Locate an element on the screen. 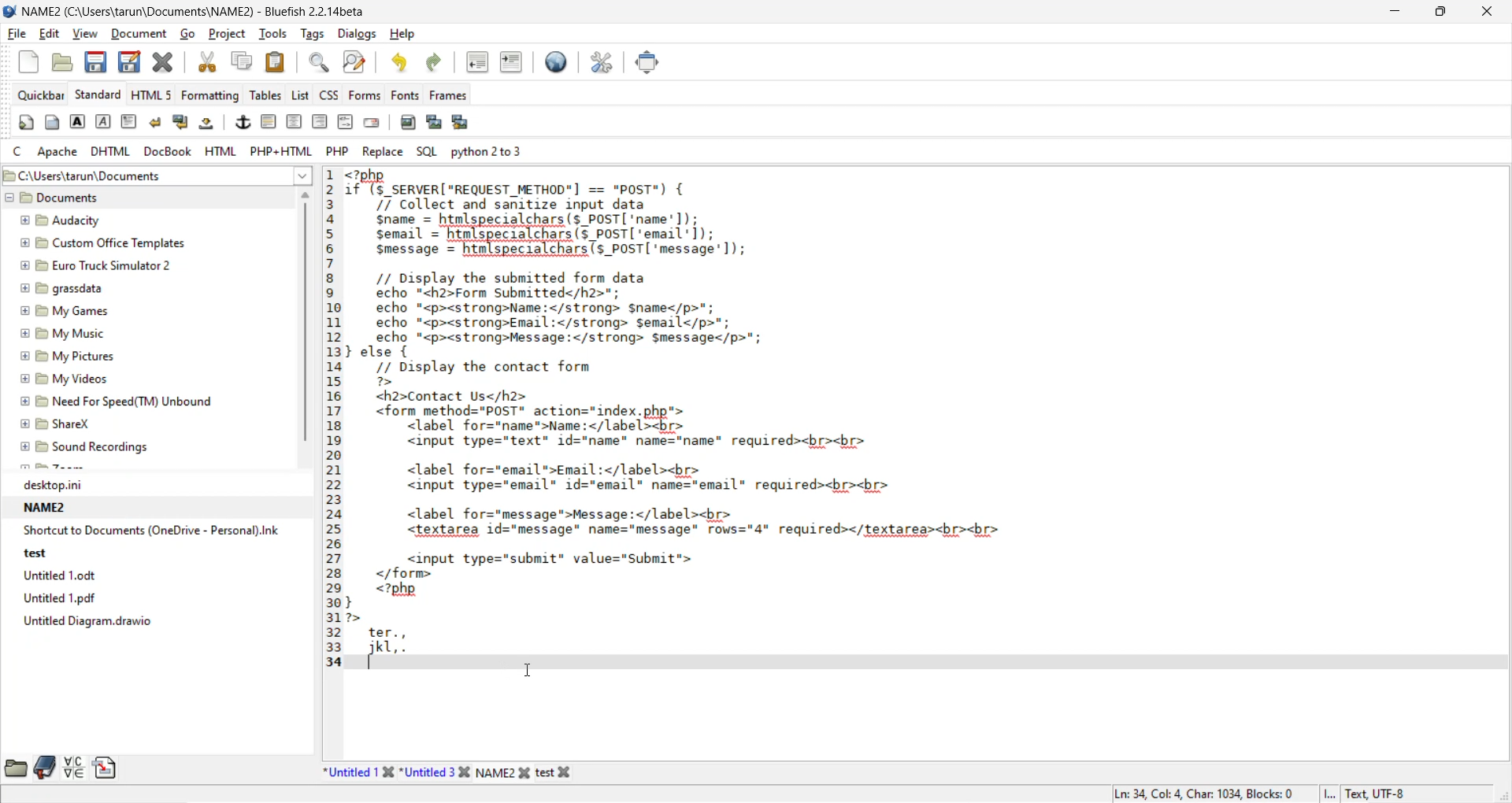 This screenshot has height=803, width=1512. Shortcut to Documents (OneDrive - Personal).Ink is located at coordinates (154, 530).